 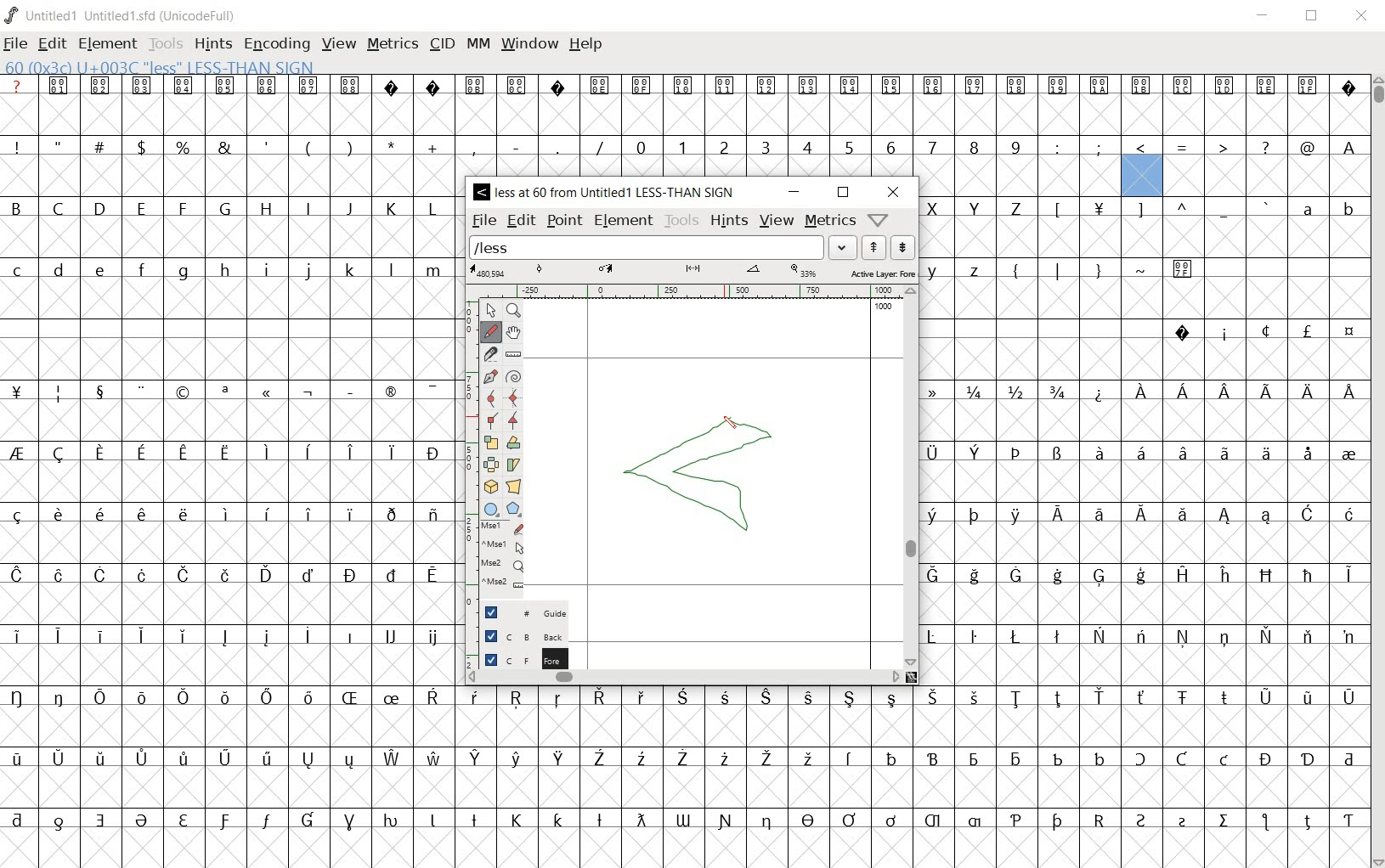 I want to click on restore down, so click(x=843, y=194).